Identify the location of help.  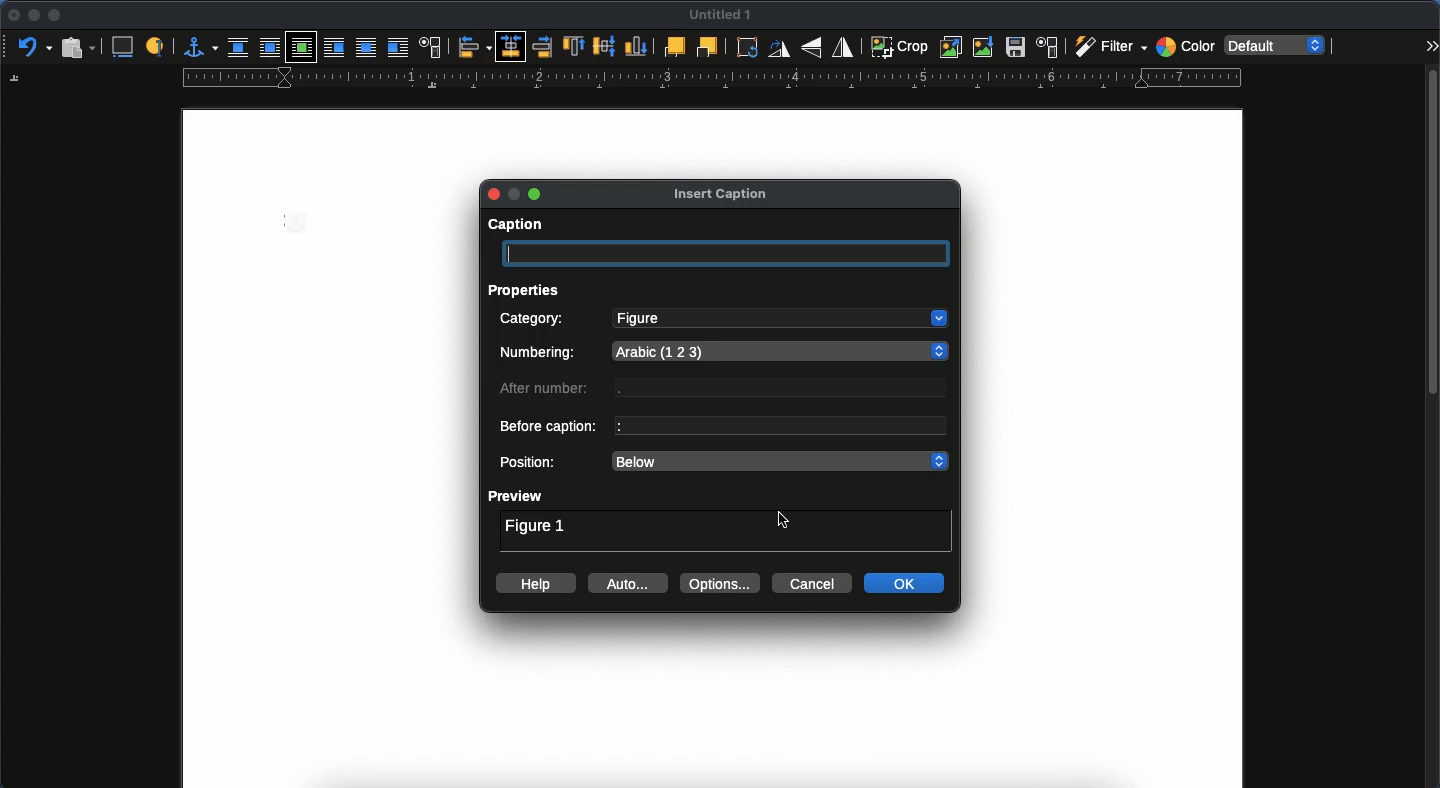
(537, 583).